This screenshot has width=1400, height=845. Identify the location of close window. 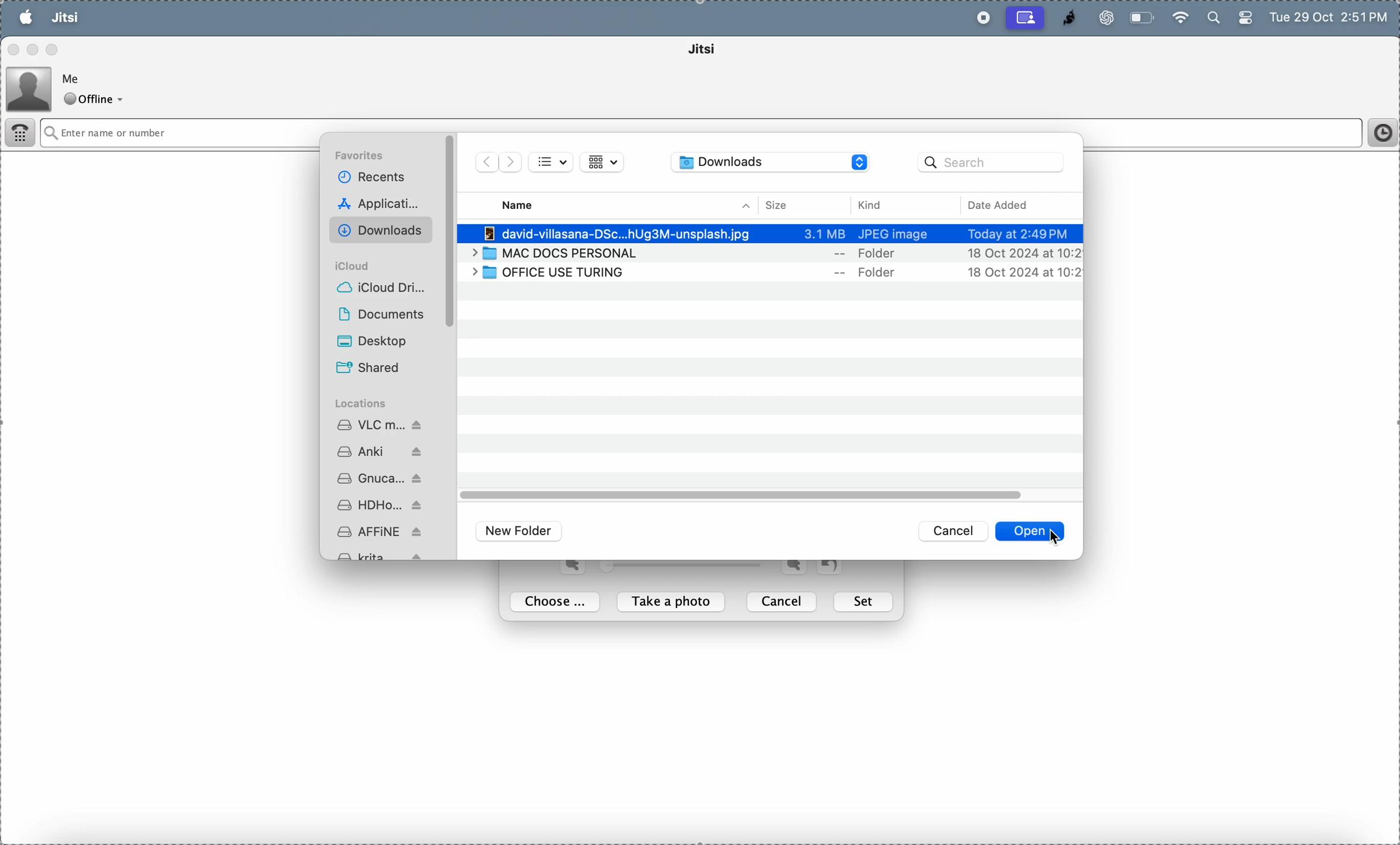
(14, 51).